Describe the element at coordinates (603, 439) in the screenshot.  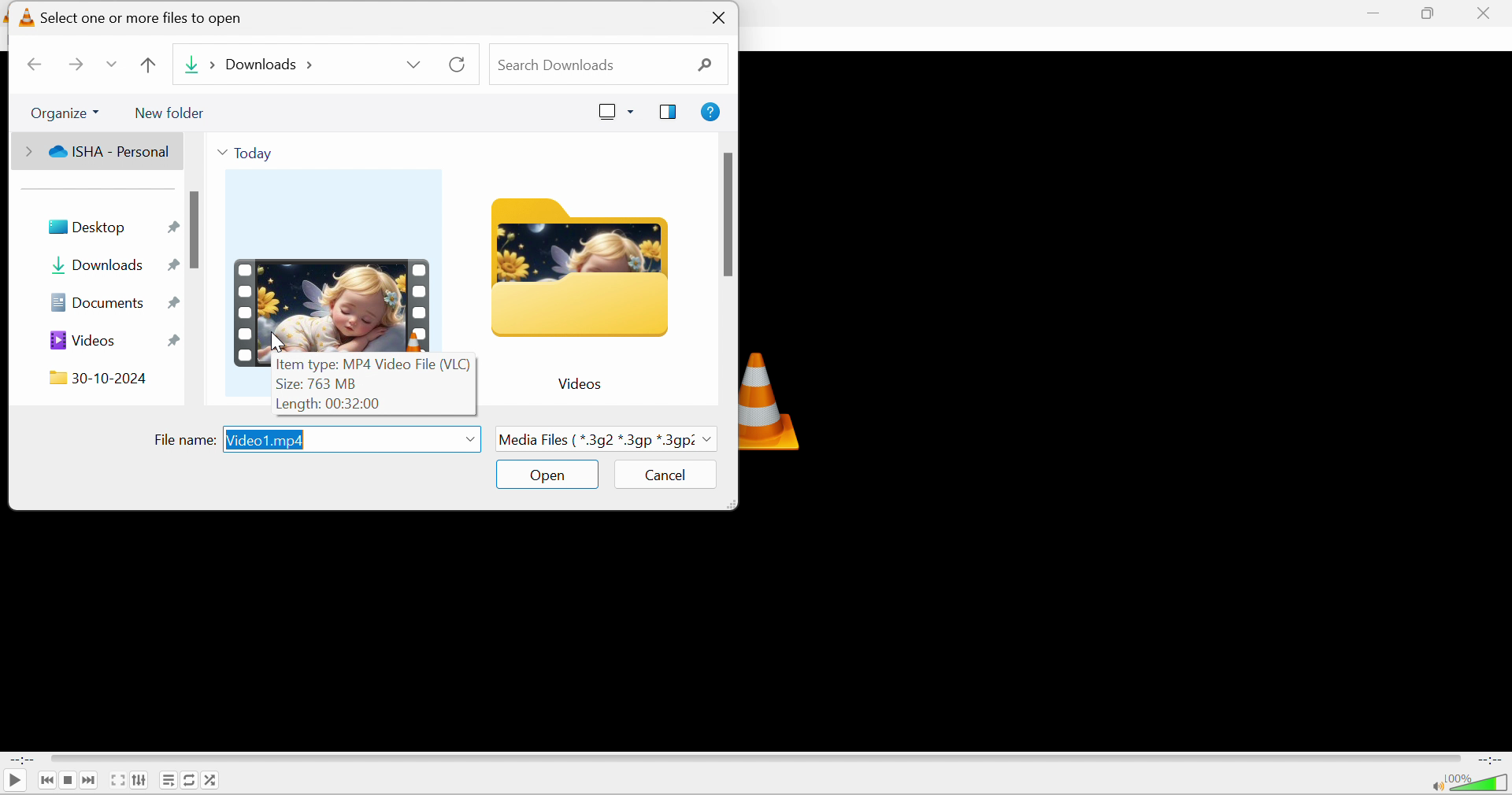
I see `Media Files {*.3g2*.3gp*3g ` at that location.